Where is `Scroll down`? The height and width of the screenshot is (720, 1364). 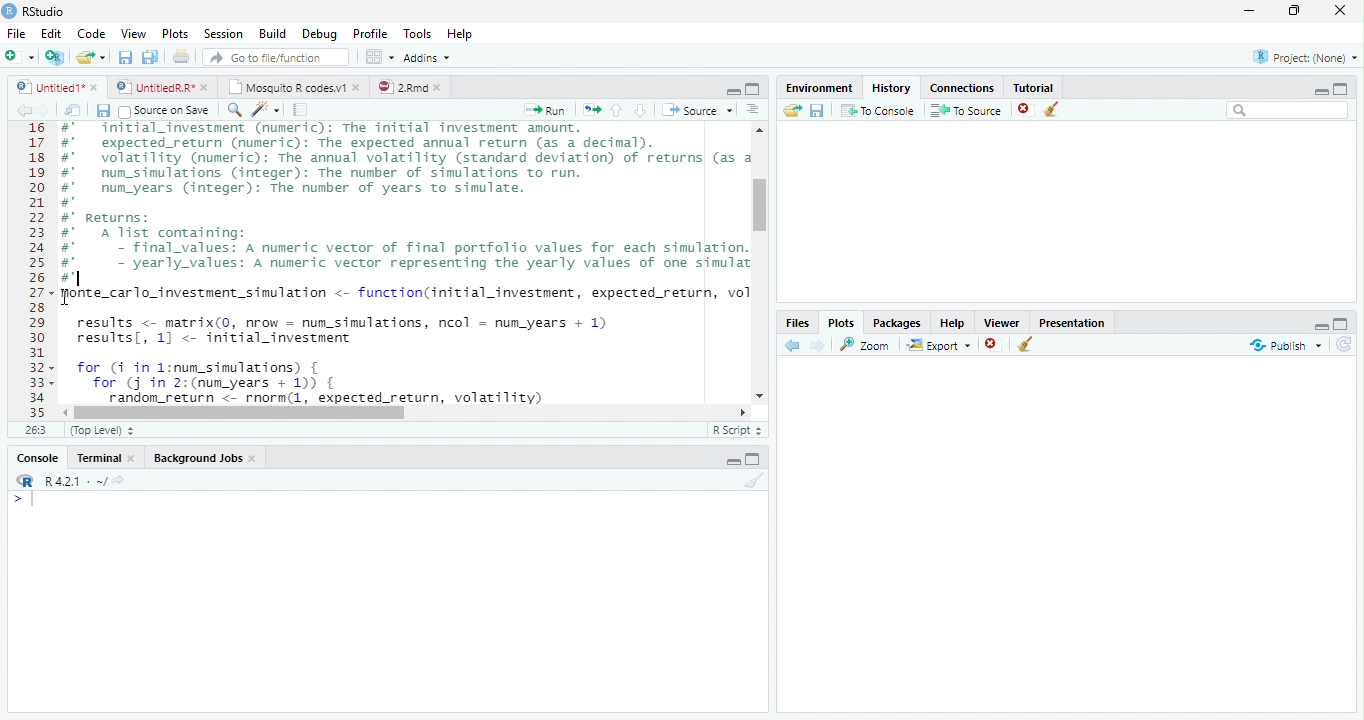
Scroll down is located at coordinates (761, 393).